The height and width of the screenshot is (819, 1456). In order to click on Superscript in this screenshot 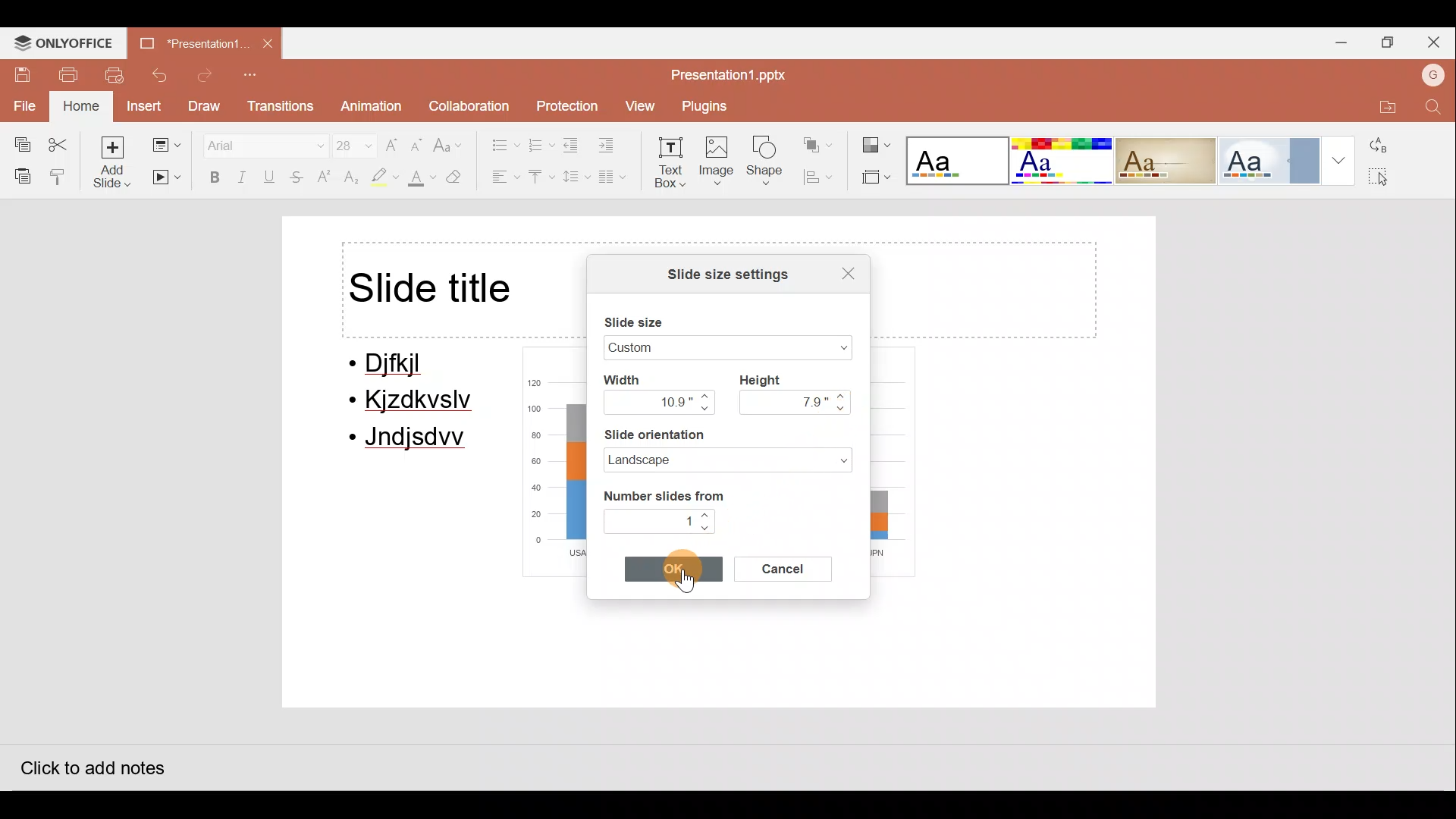, I will do `click(325, 178)`.